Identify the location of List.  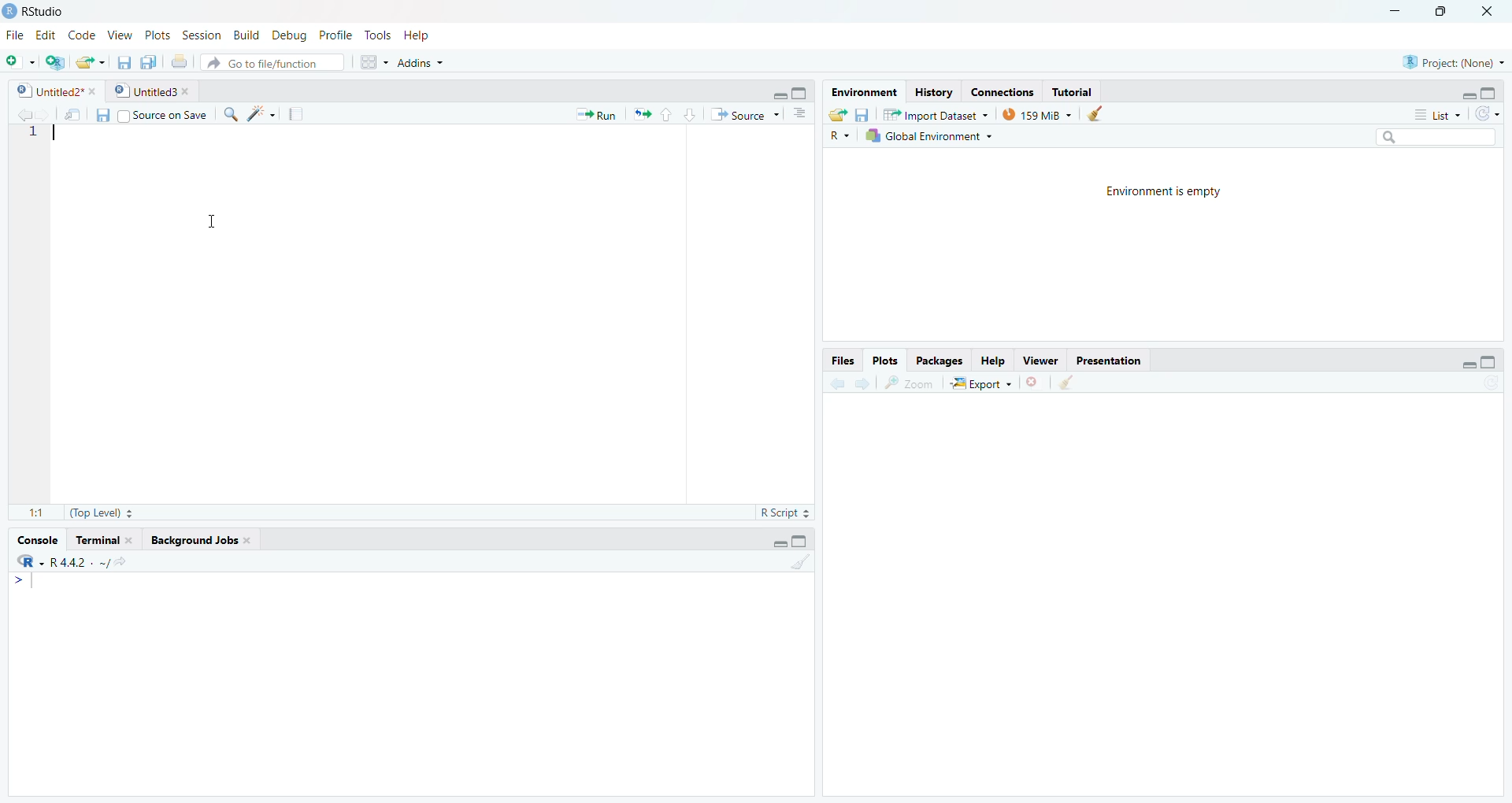
(1435, 113).